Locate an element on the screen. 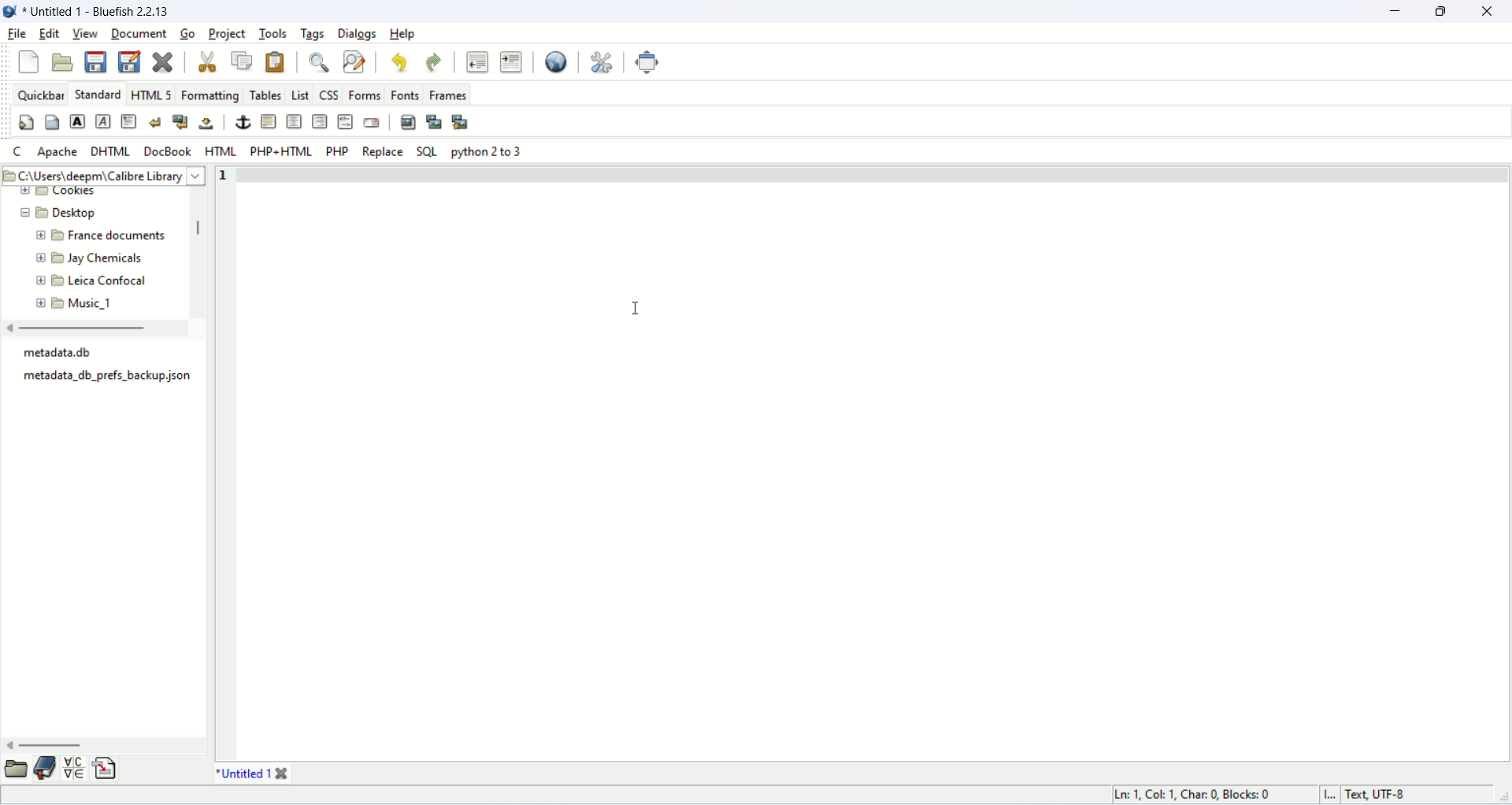 This screenshot has width=1512, height=805. body is located at coordinates (51, 121).